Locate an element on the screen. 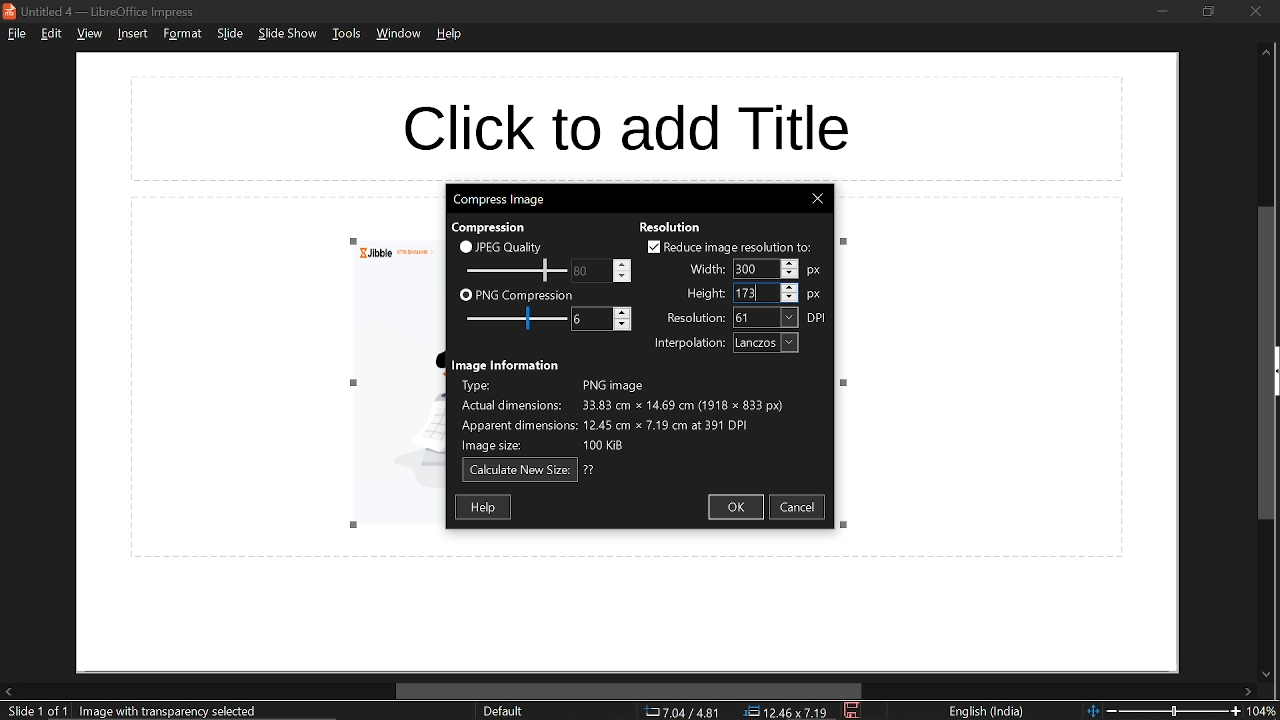 The image size is (1280, 720). change PNG compression is located at coordinates (582, 318).